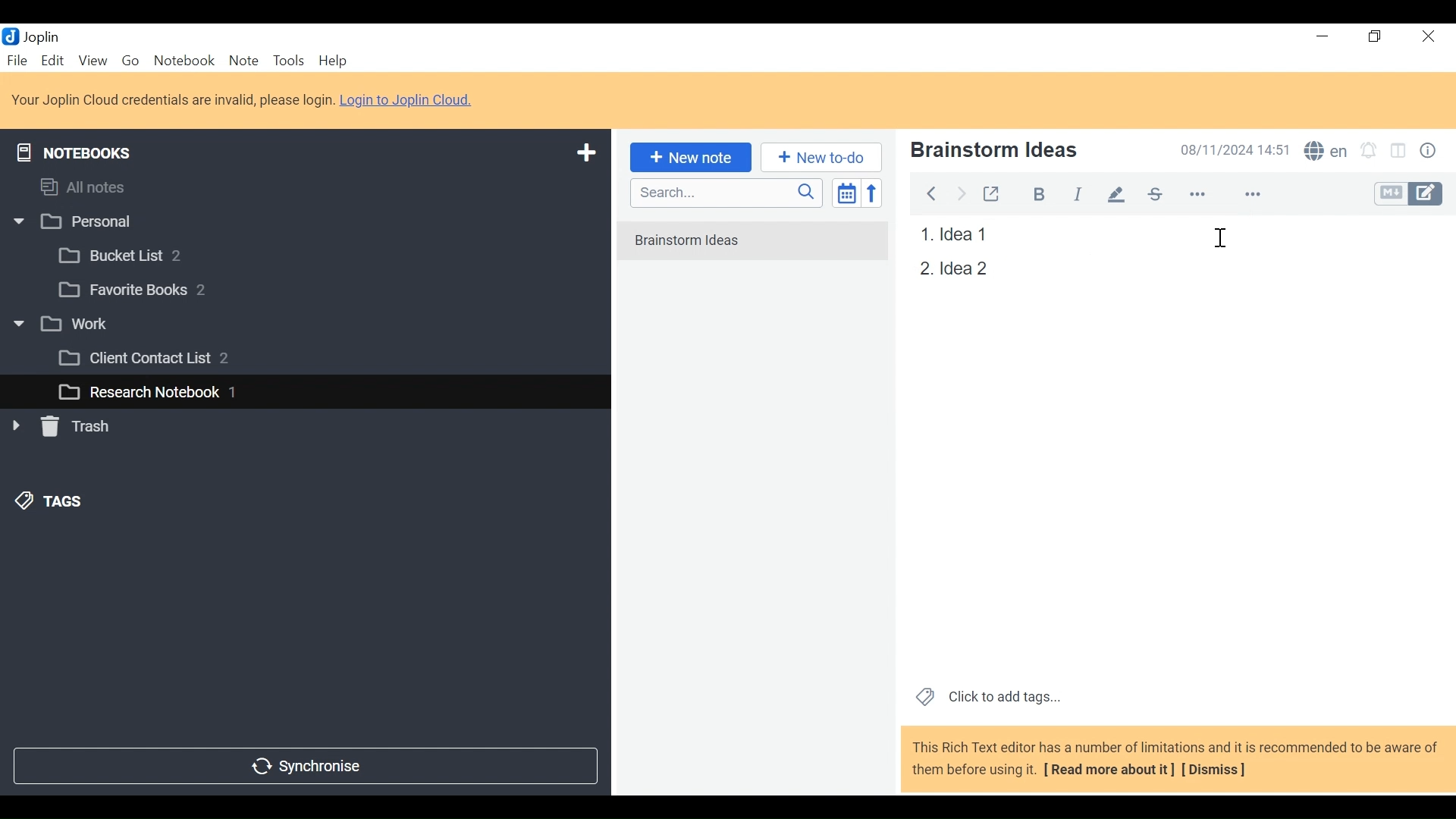 The image size is (1456, 819). What do you see at coordinates (1207, 195) in the screenshot?
I see `more options` at bounding box center [1207, 195].